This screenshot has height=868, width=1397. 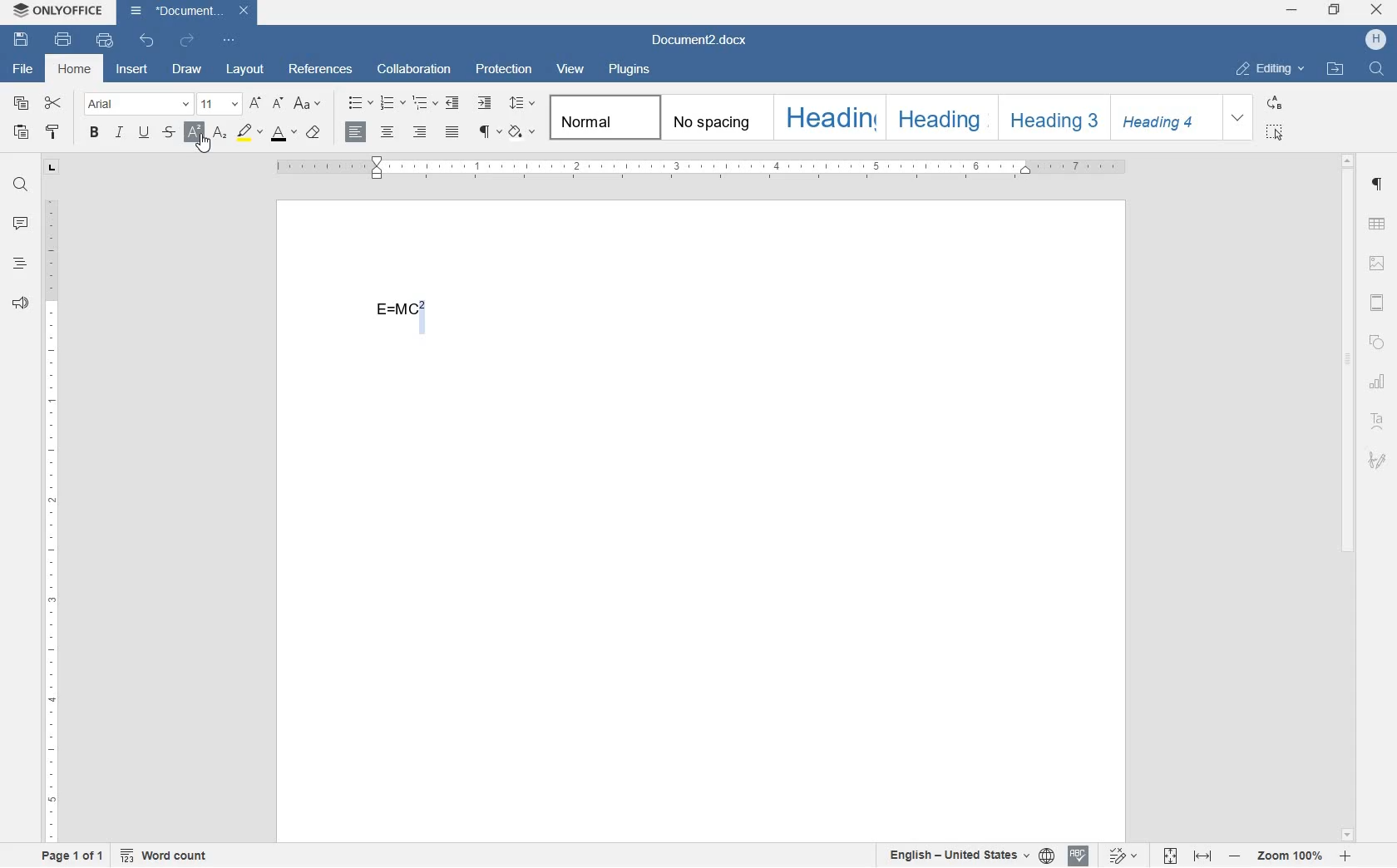 What do you see at coordinates (205, 148) in the screenshot?
I see `CURSOR` at bounding box center [205, 148].